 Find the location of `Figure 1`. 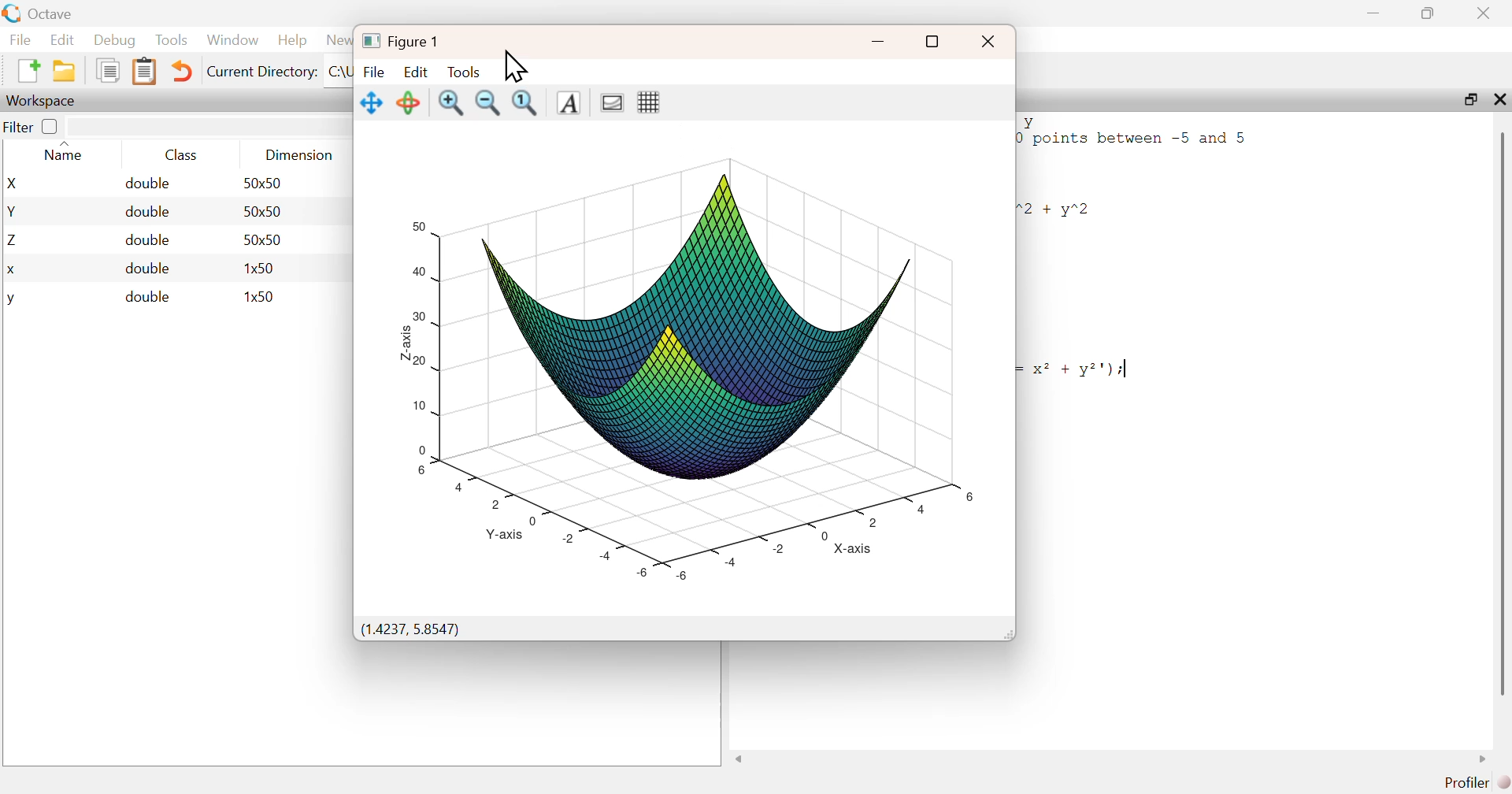

Figure 1 is located at coordinates (401, 41).